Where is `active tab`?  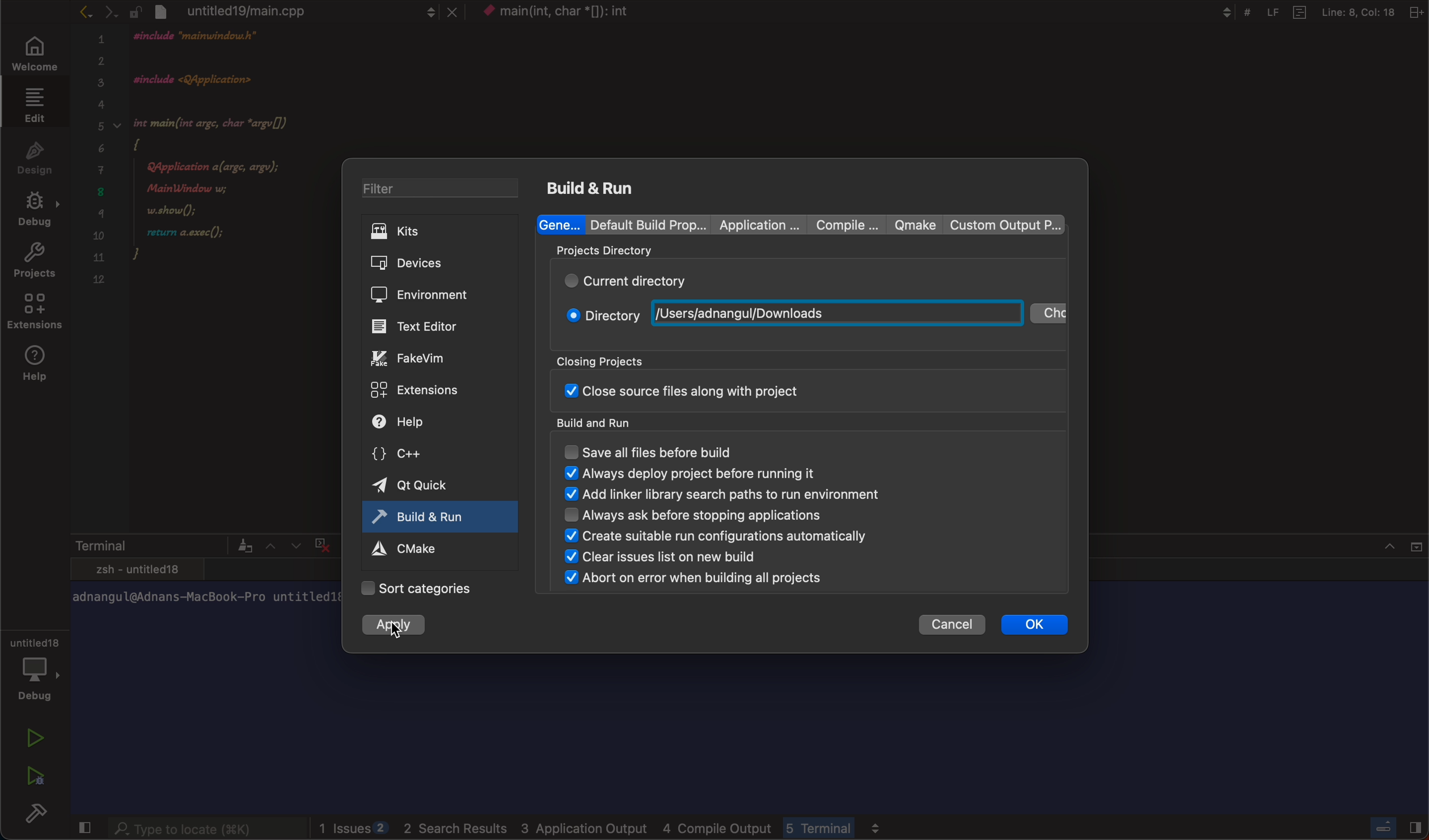
active tab is located at coordinates (445, 517).